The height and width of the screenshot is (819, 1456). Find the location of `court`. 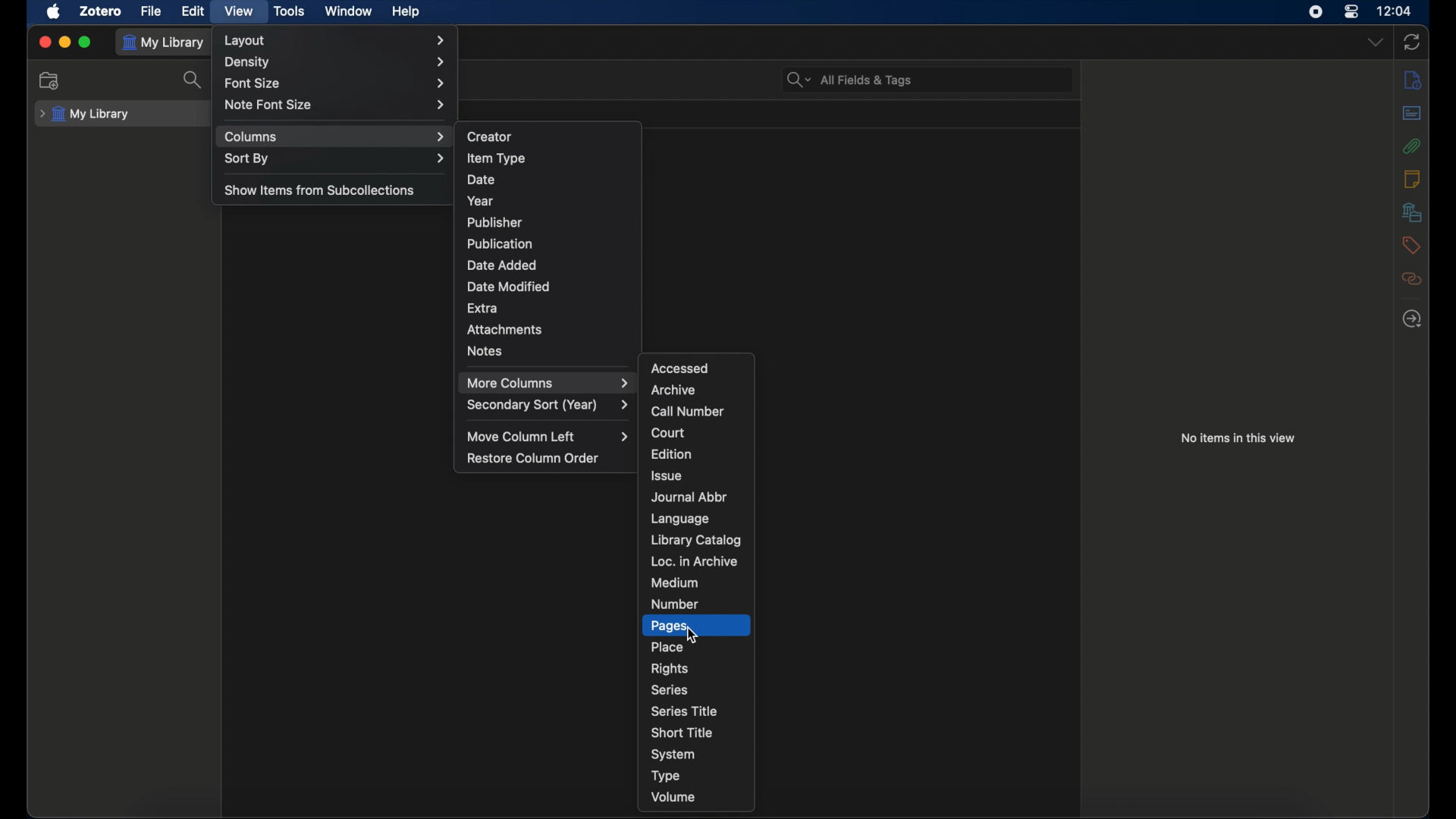

court is located at coordinates (668, 432).